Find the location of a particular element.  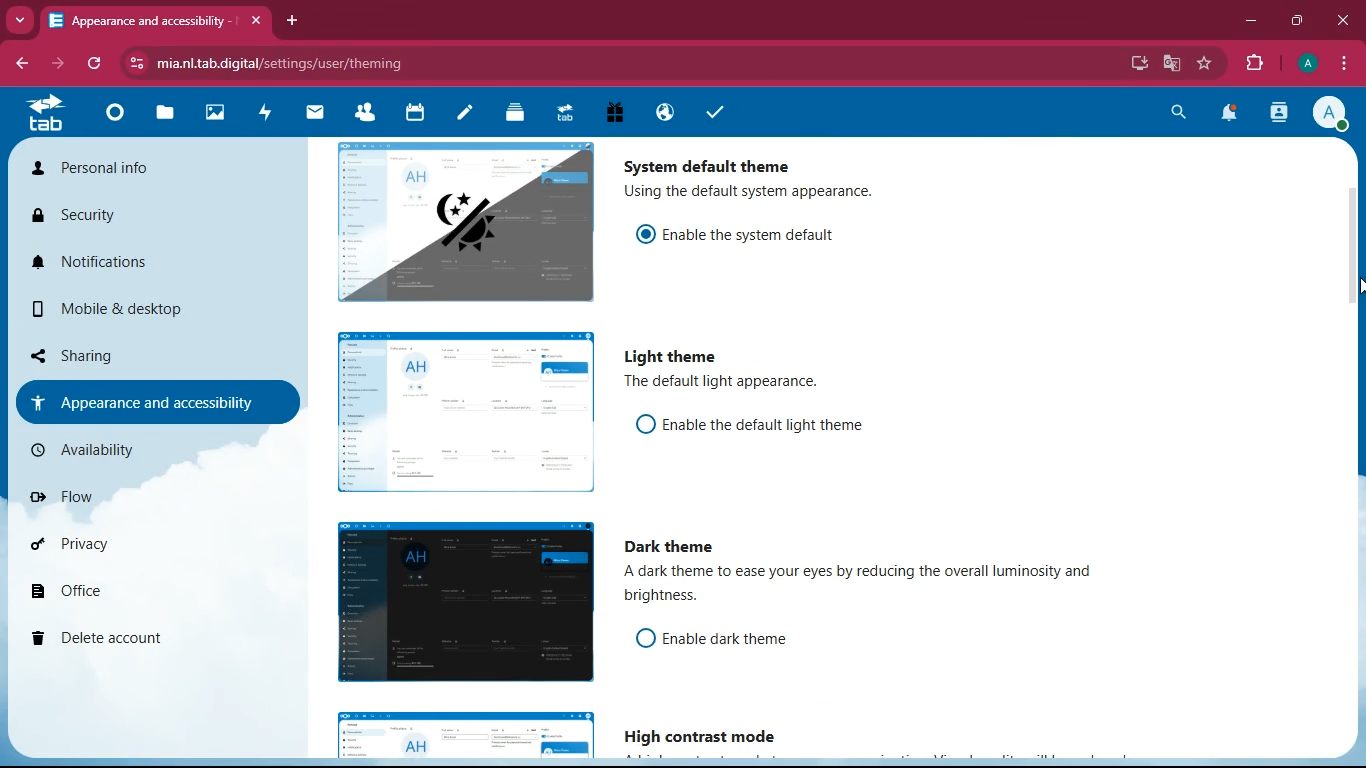

flow is located at coordinates (138, 504).